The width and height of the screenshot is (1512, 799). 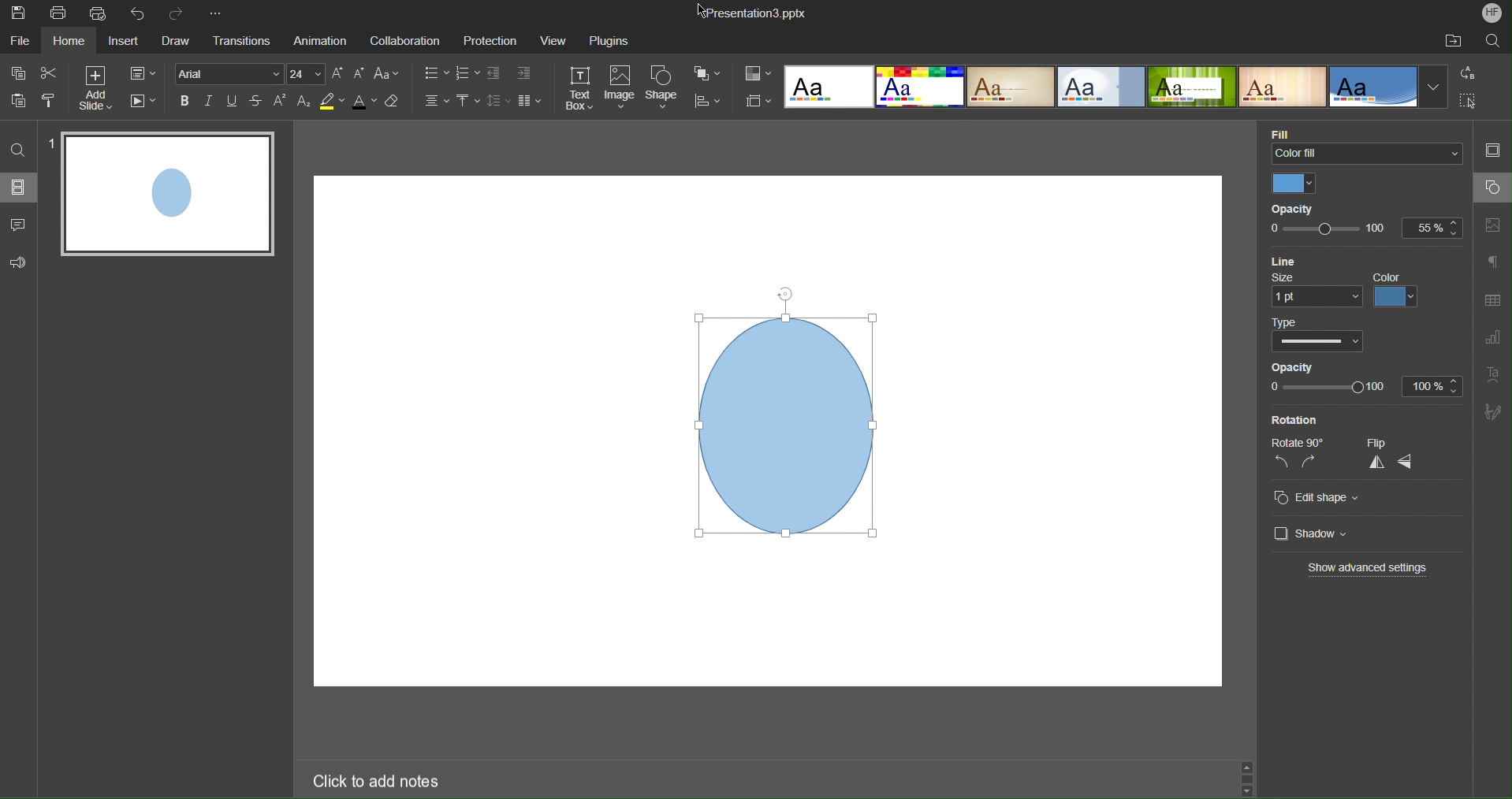 What do you see at coordinates (555, 40) in the screenshot?
I see `View` at bounding box center [555, 40].